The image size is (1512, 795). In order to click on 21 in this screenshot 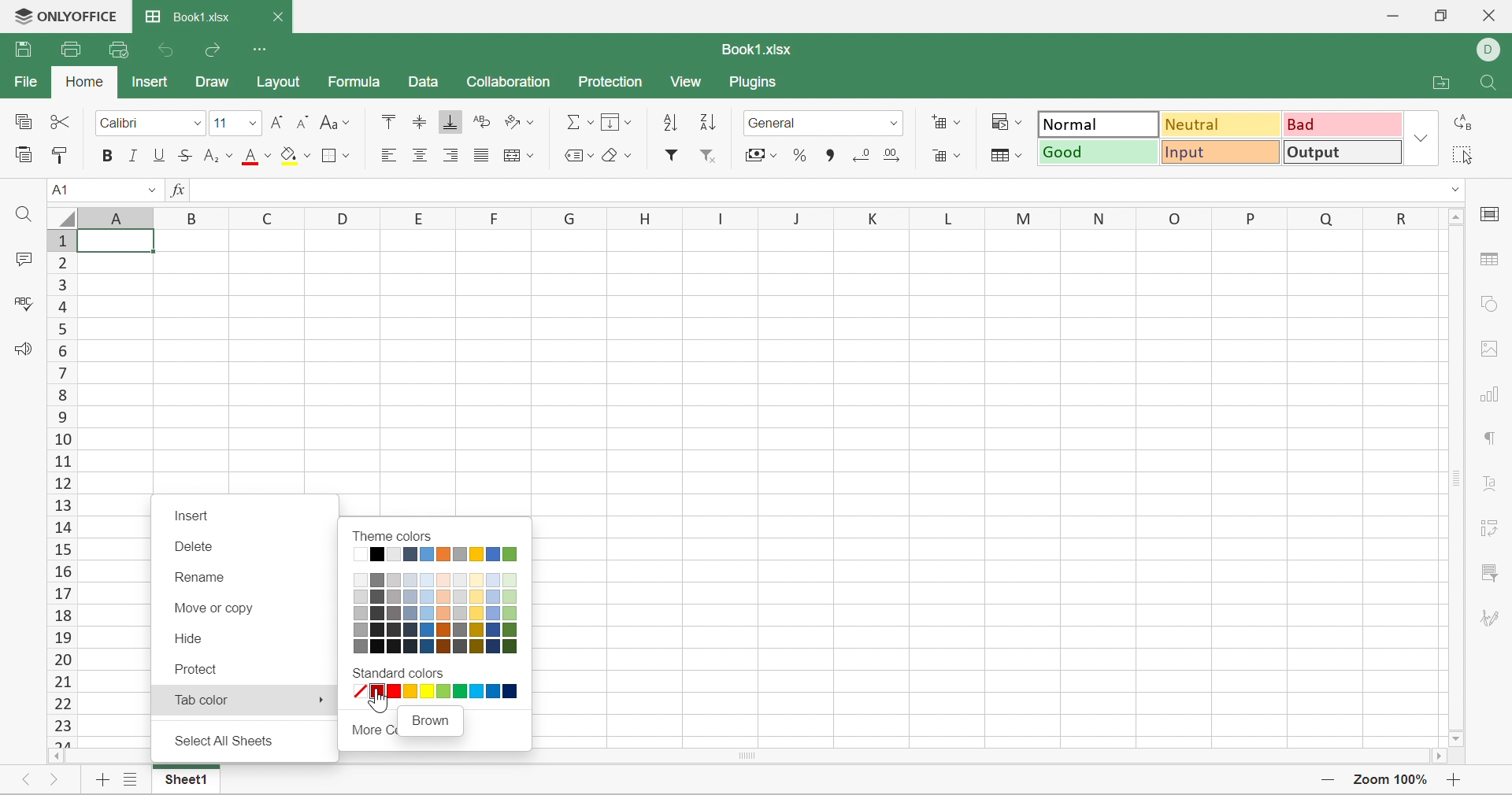, I will do `click(58, 679)`.